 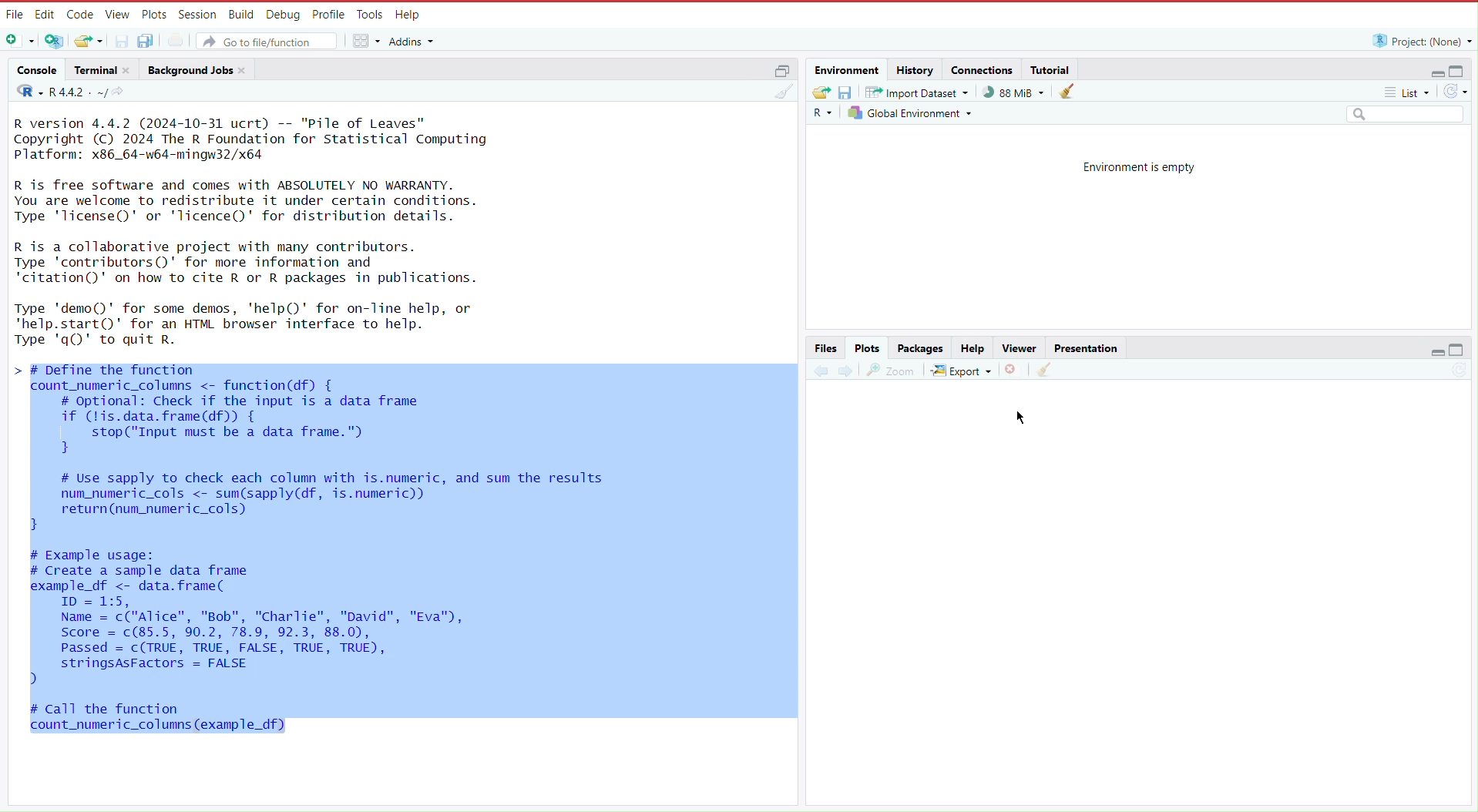 I want to click on Build, so click(x=240, y=13).